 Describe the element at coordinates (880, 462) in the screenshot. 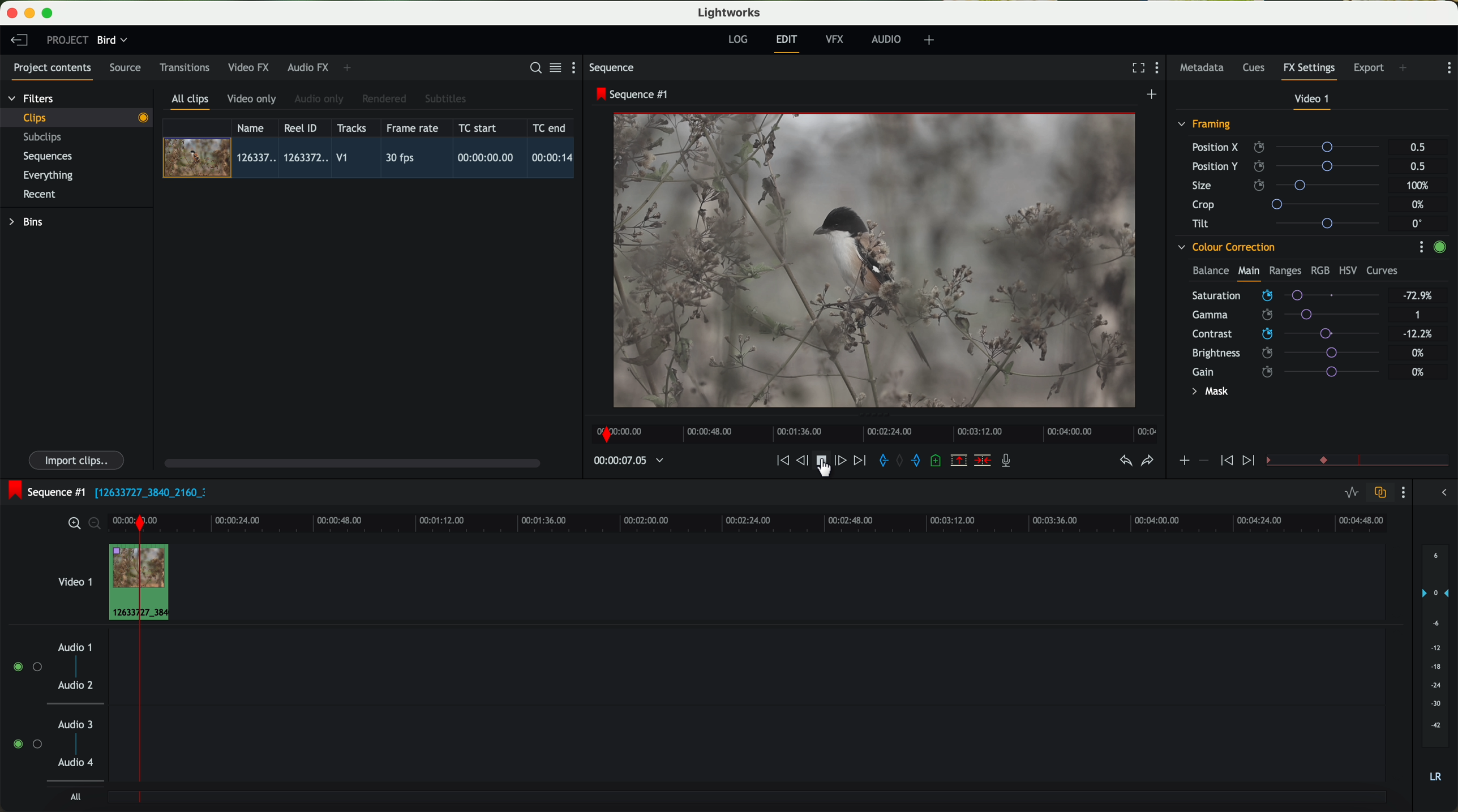

I see `add 'in' mark` at that location.